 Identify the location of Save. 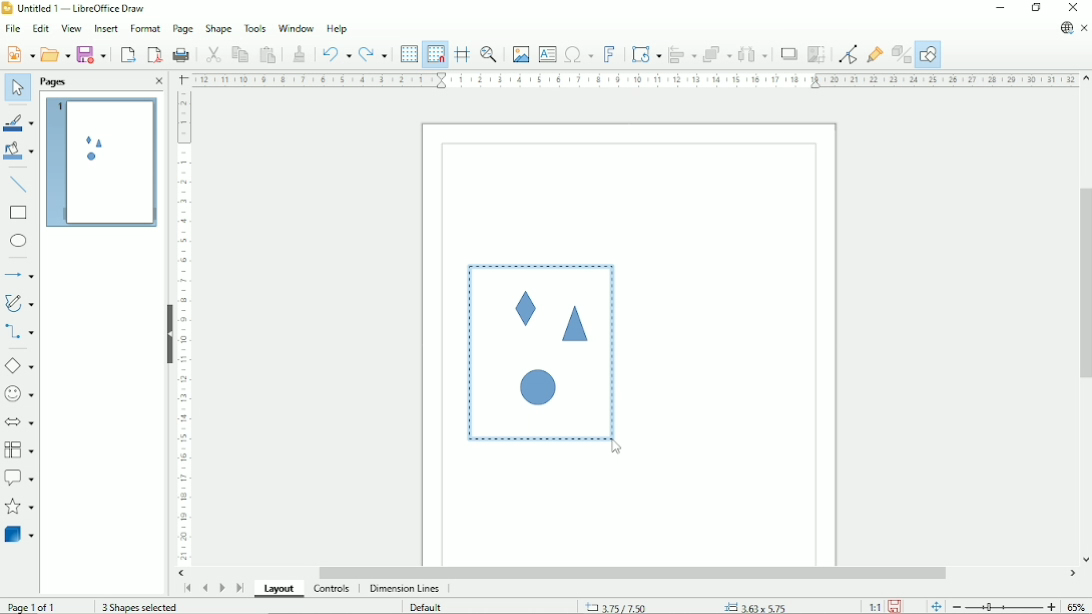
(94, 53).